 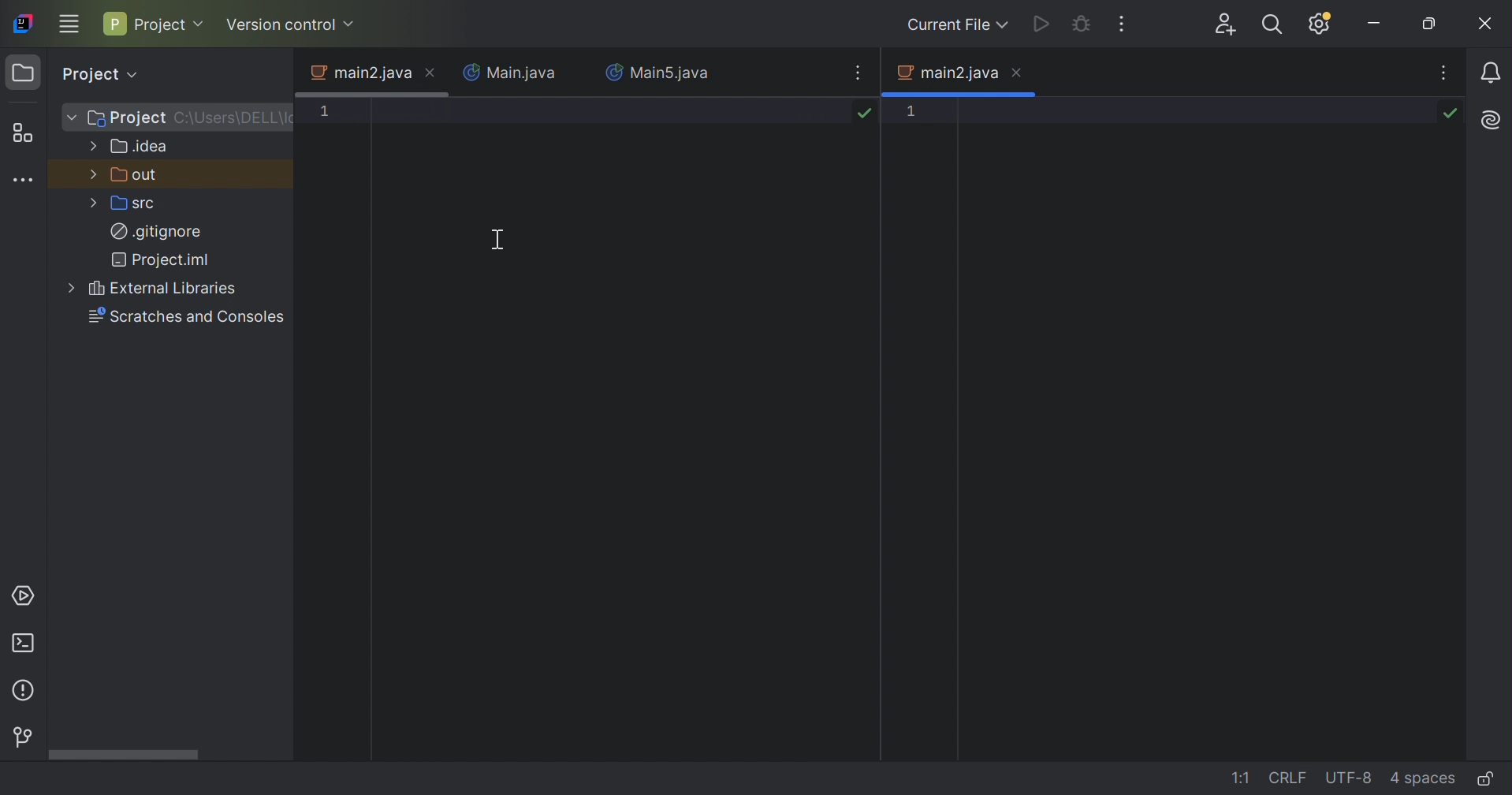 I want to click on src, so click(x=134, y=202).